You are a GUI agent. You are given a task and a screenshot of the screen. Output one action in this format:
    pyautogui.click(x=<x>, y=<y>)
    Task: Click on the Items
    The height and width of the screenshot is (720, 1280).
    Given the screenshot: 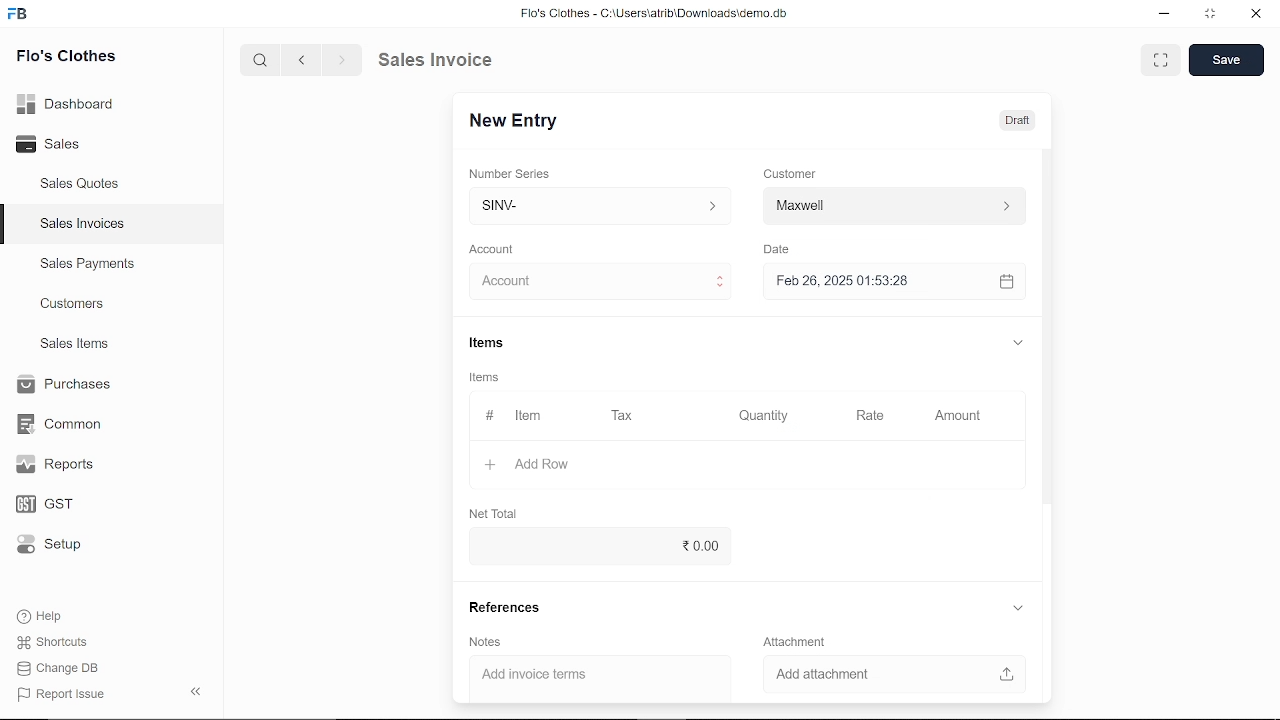 What is the action you would take?
    pyautogui.click(x=485, y=345)
    